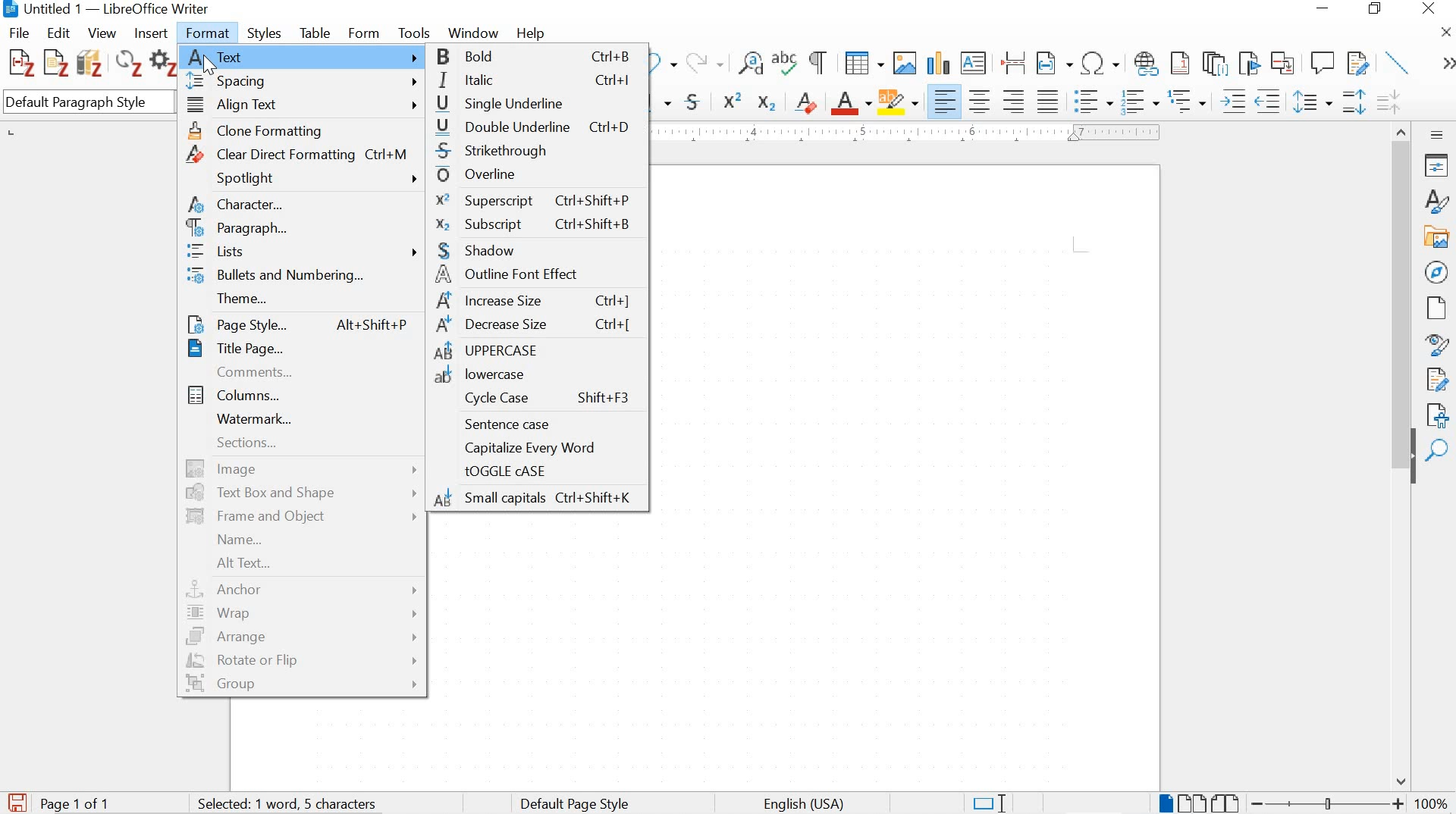 The height and width of the screenshot is (814, 1456). Describe the element at coordinates (980, 101) in the screenshot. I see `align center` at that location.